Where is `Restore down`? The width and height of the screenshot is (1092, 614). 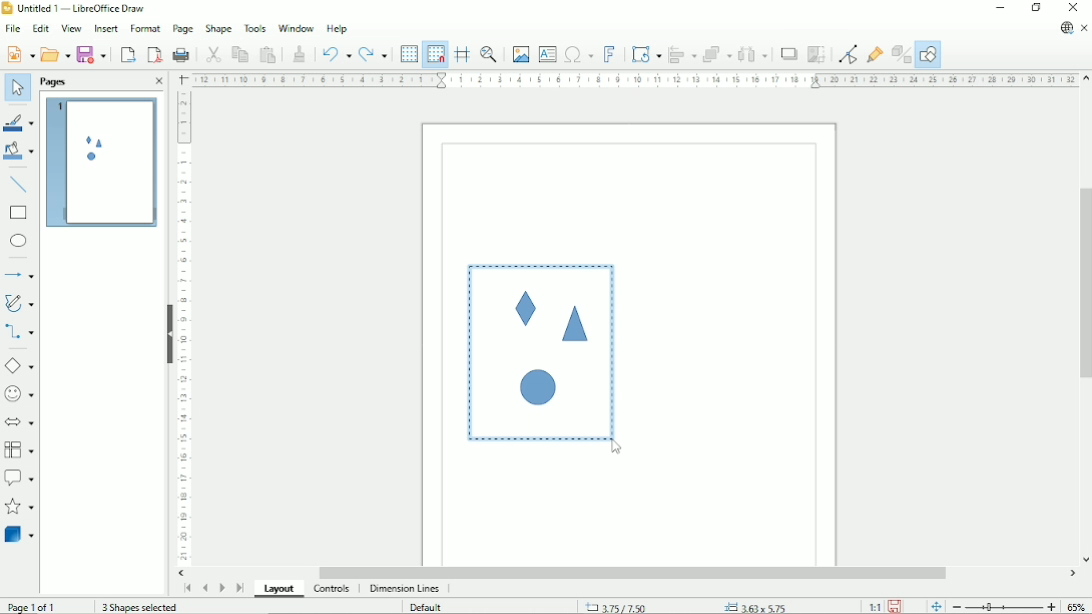
Restore down is located at coordinates (1036, 8).